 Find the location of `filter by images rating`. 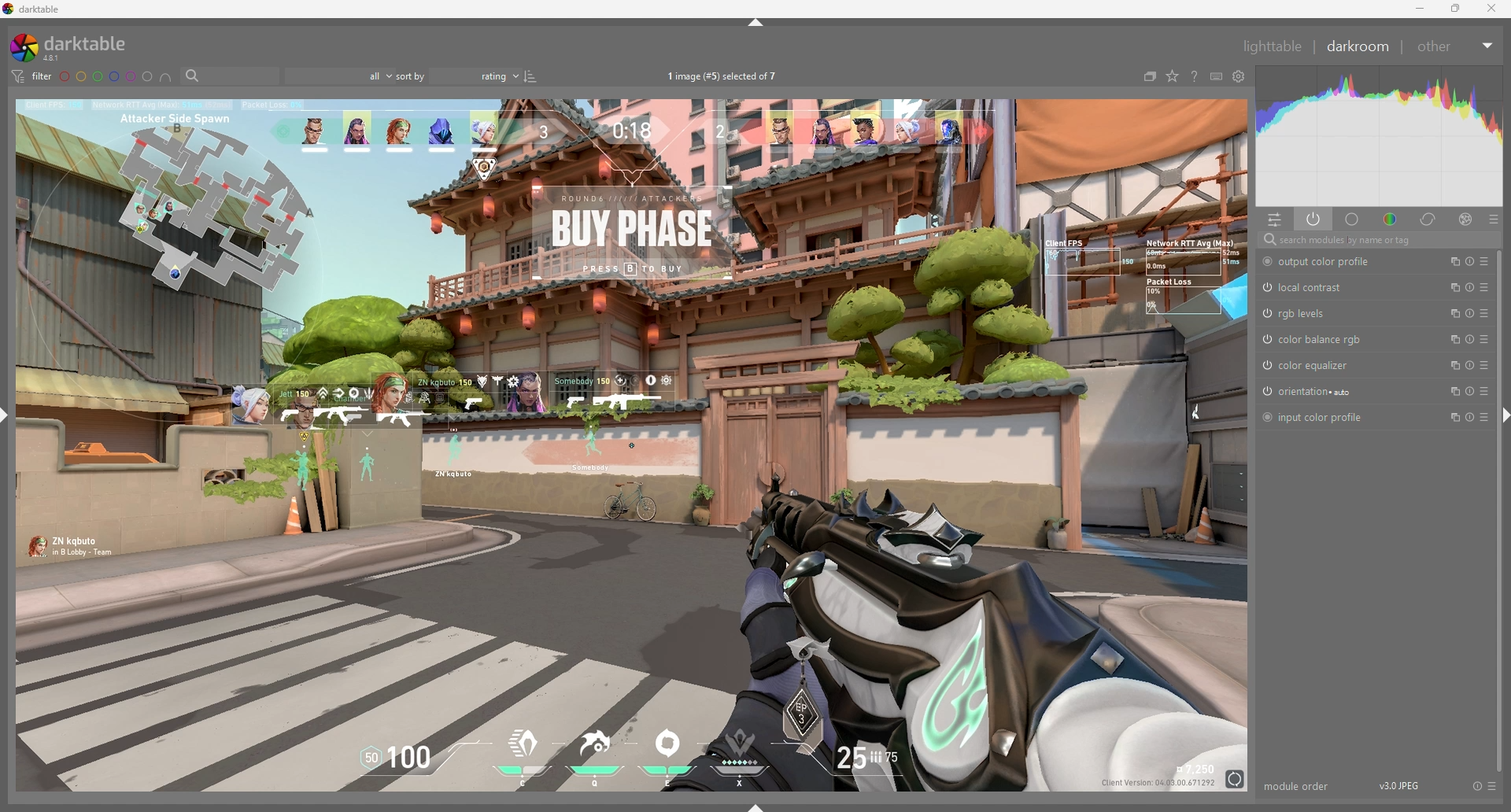

filter by images rating is located at coordinates (339, 76).